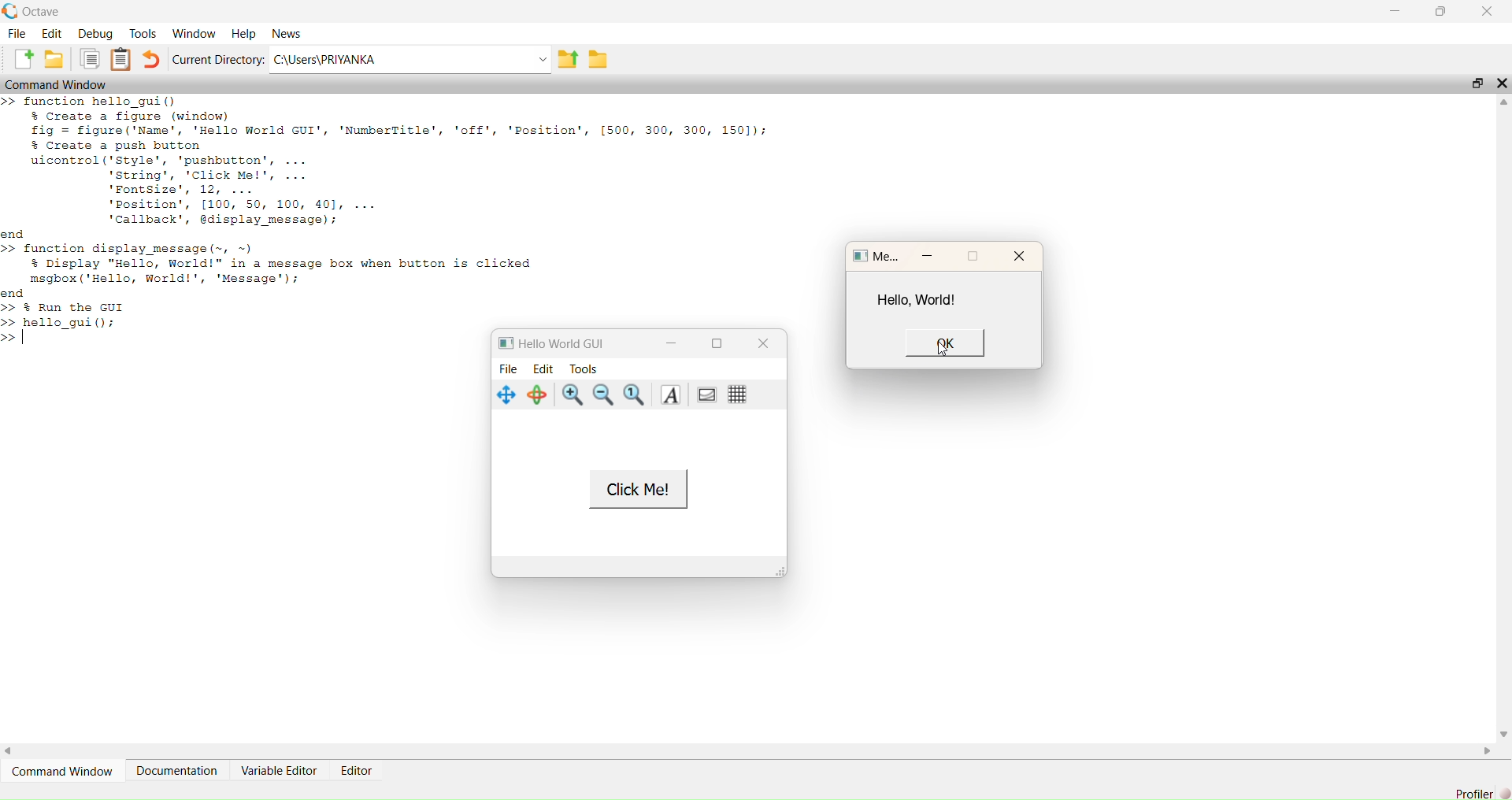 The width and height of the screenshot is (1512, 800). Describe the element at coordinates (719, 345) in the screenshot. I see `maximise` at that location.